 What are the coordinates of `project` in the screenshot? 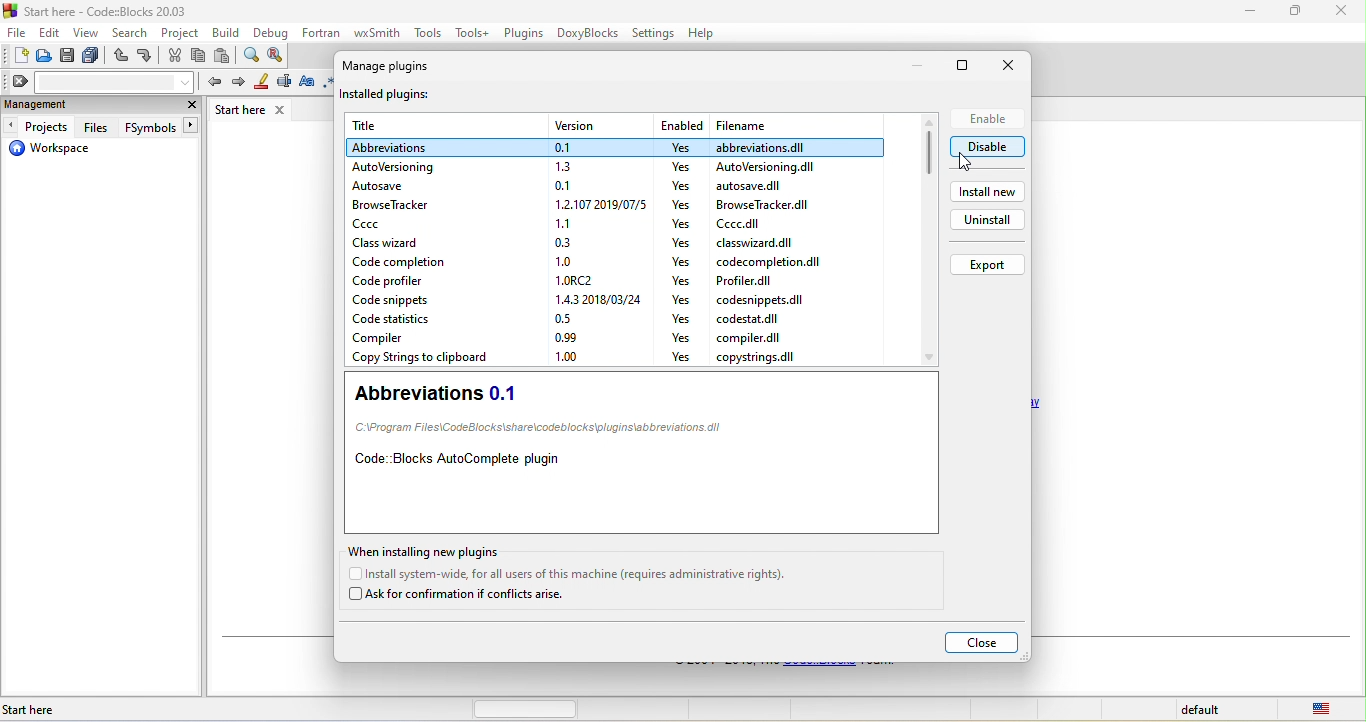 It's located at (175, 31).